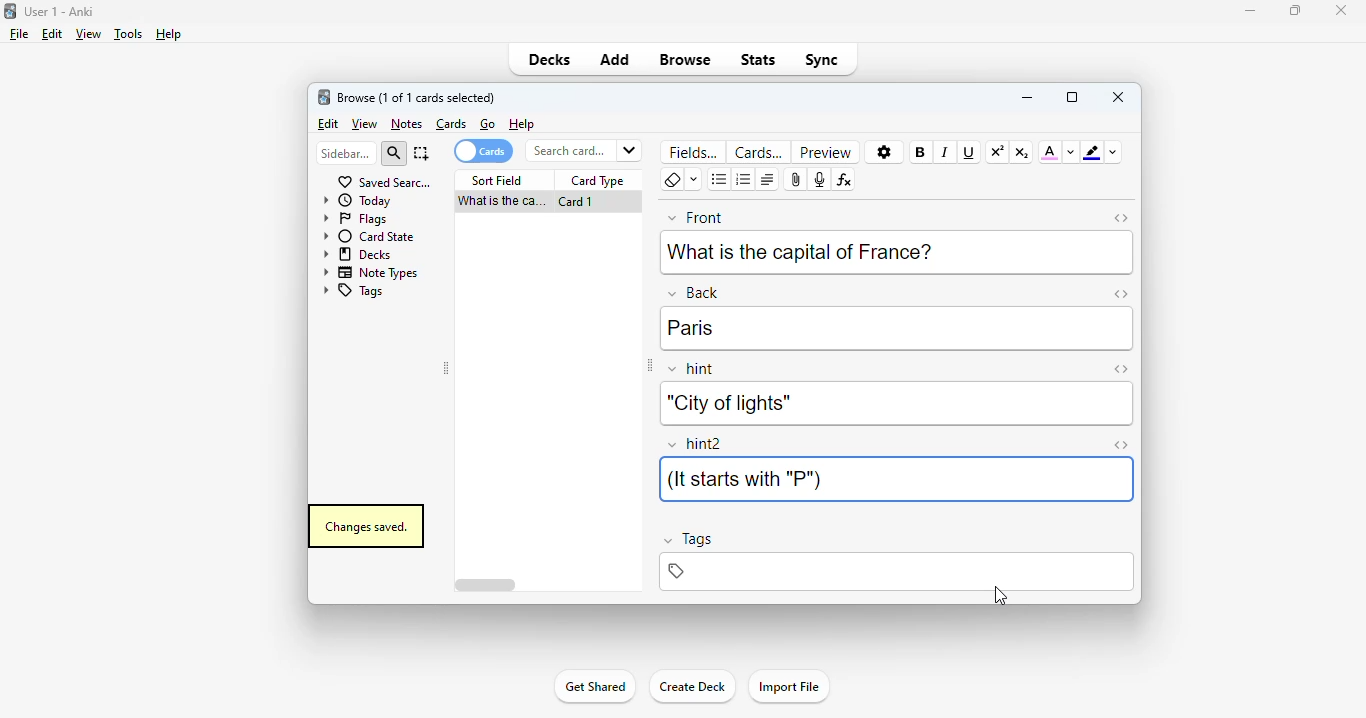  Describe the element at coordinates (843, 180) in the screenshot. I see `equations` at that location.